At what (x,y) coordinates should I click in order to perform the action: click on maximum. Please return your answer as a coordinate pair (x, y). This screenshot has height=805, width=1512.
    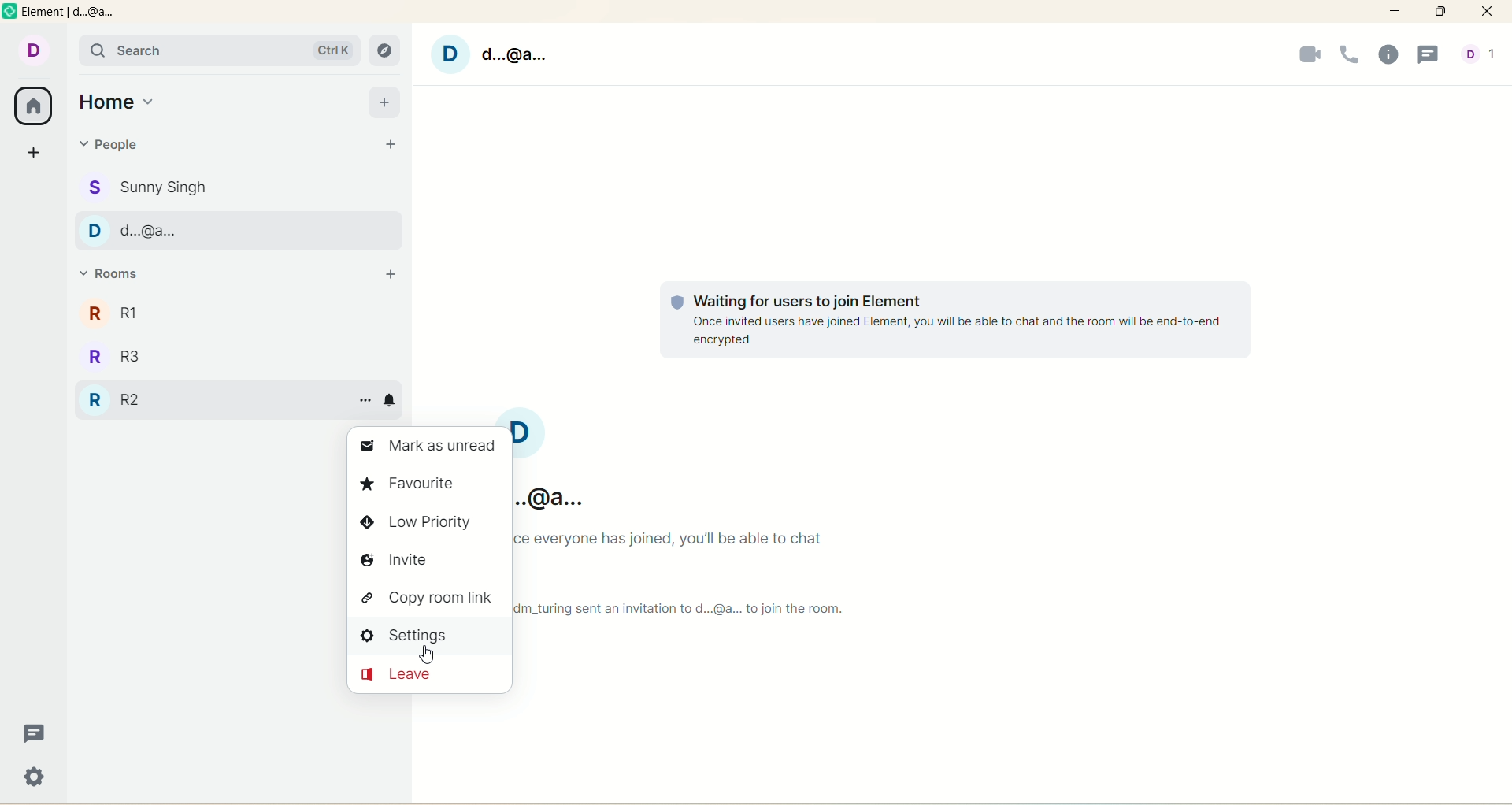
    Looking at the image, I should click on (1440, 12).